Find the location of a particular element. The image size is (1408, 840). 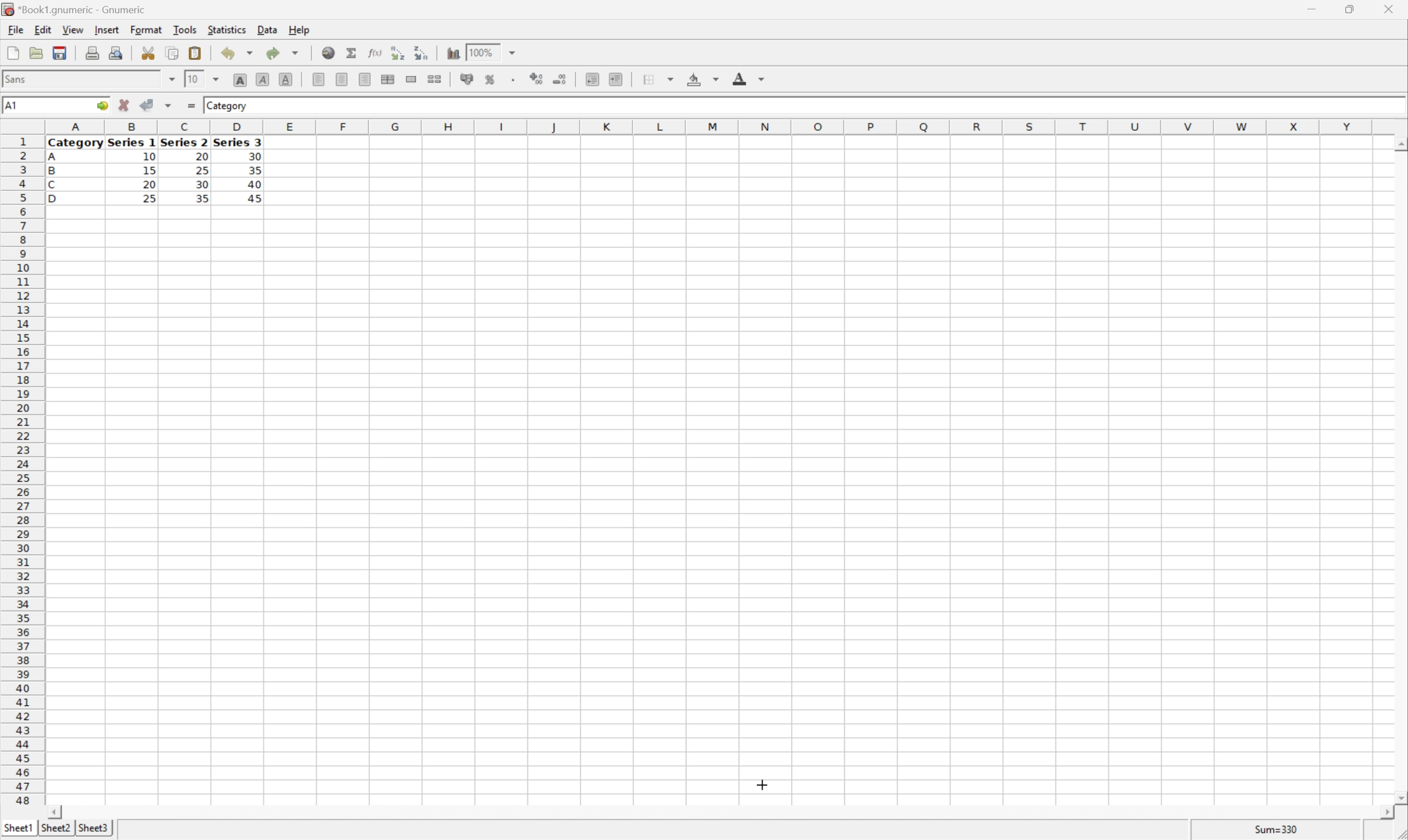

Center horizontally across selection is located at coordinates (387, 78).